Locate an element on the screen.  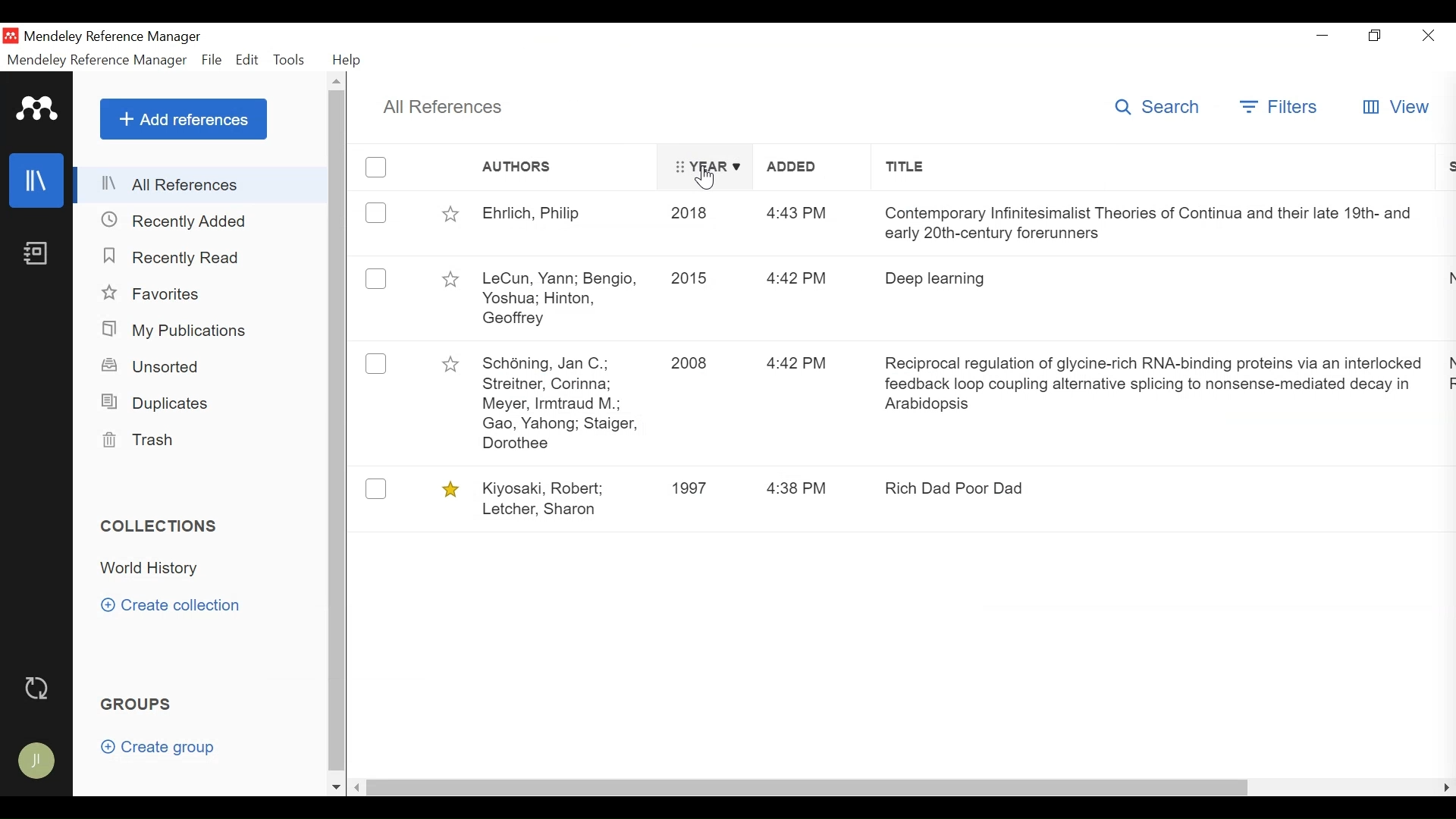
minimize is located at coordinates (1325, 36).